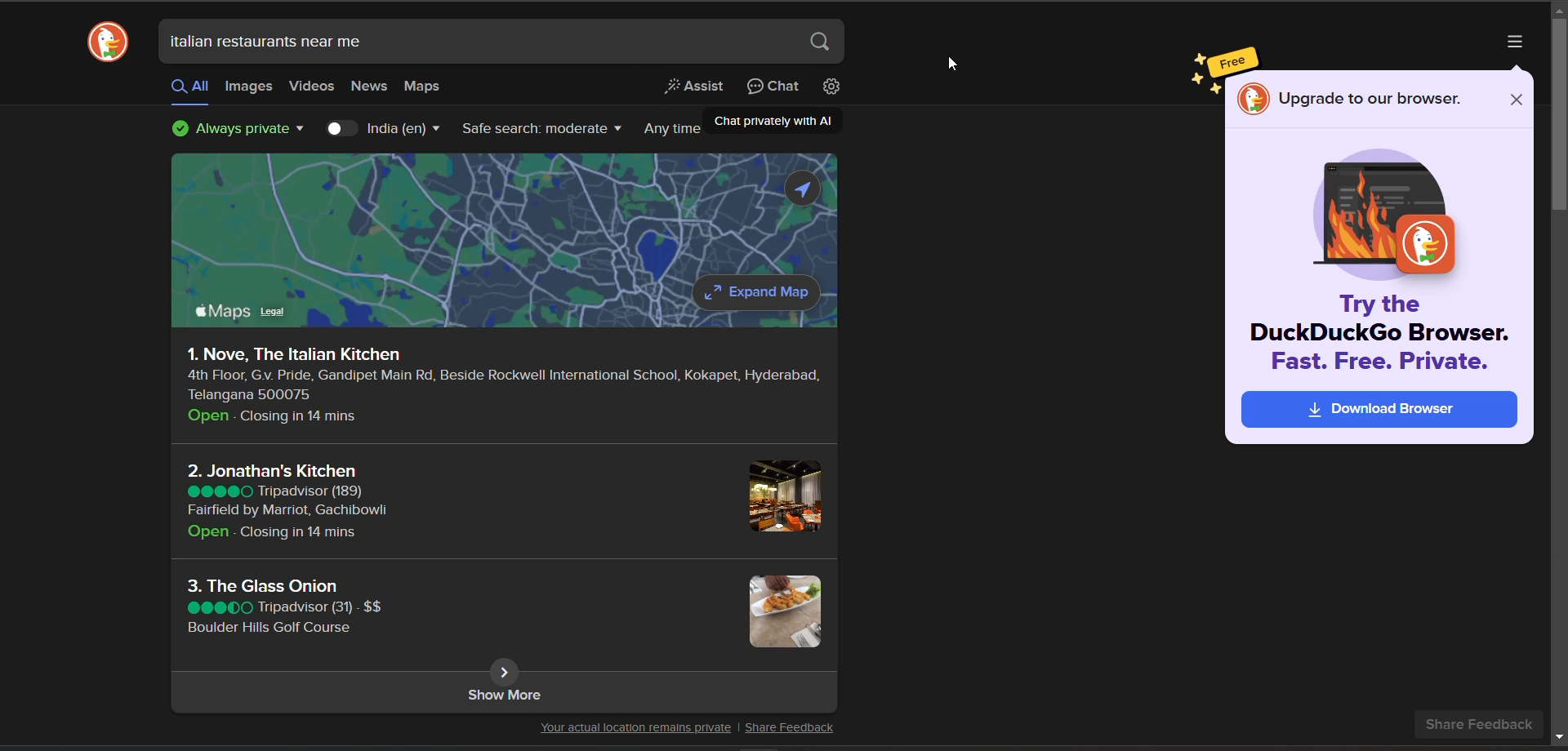  Describe the element at coordinates (1479, 725) in the screenshot. I see `share feedback` at that location.